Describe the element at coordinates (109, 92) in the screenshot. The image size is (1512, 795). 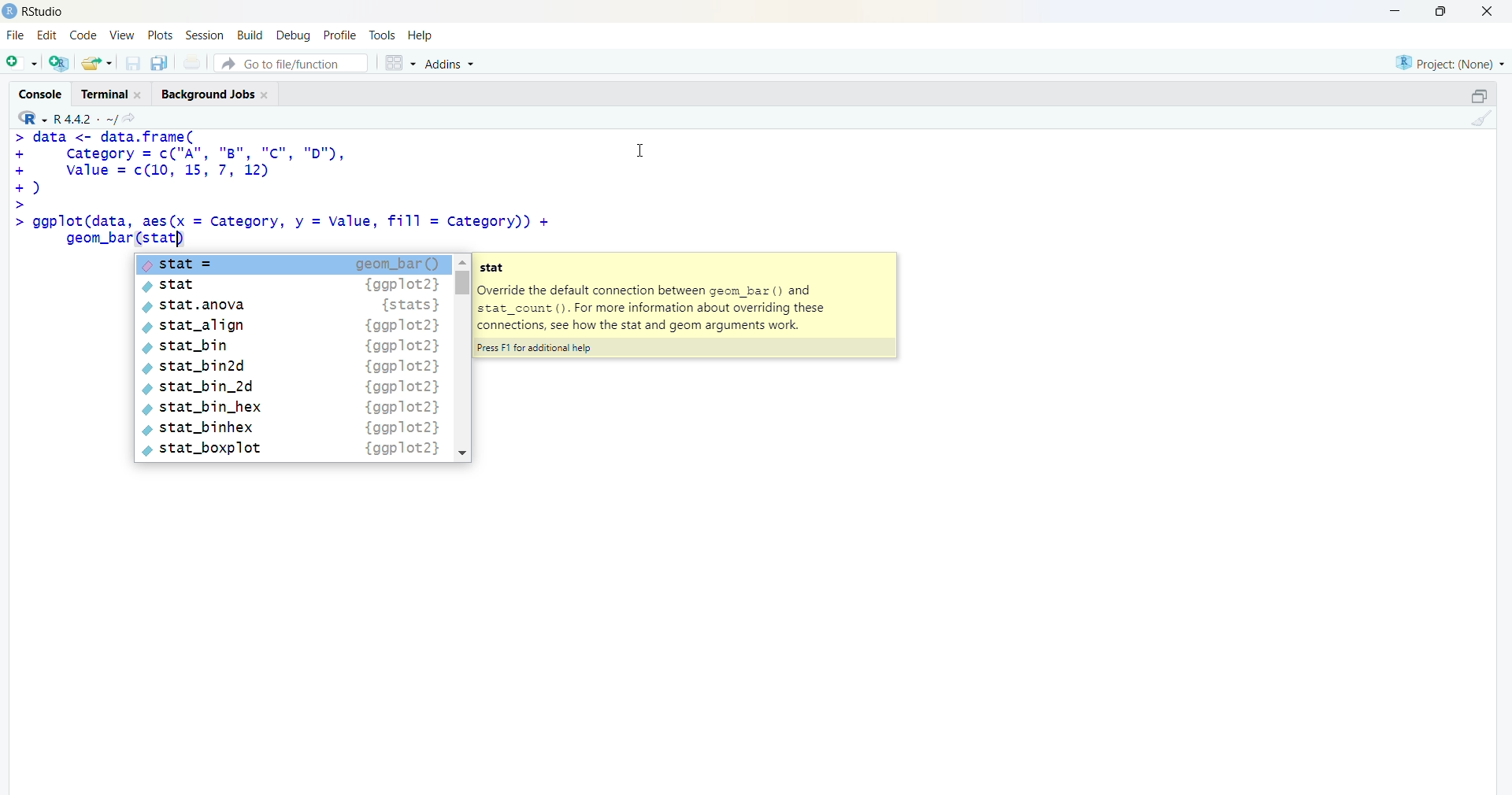
I see `Terminal` at that location.